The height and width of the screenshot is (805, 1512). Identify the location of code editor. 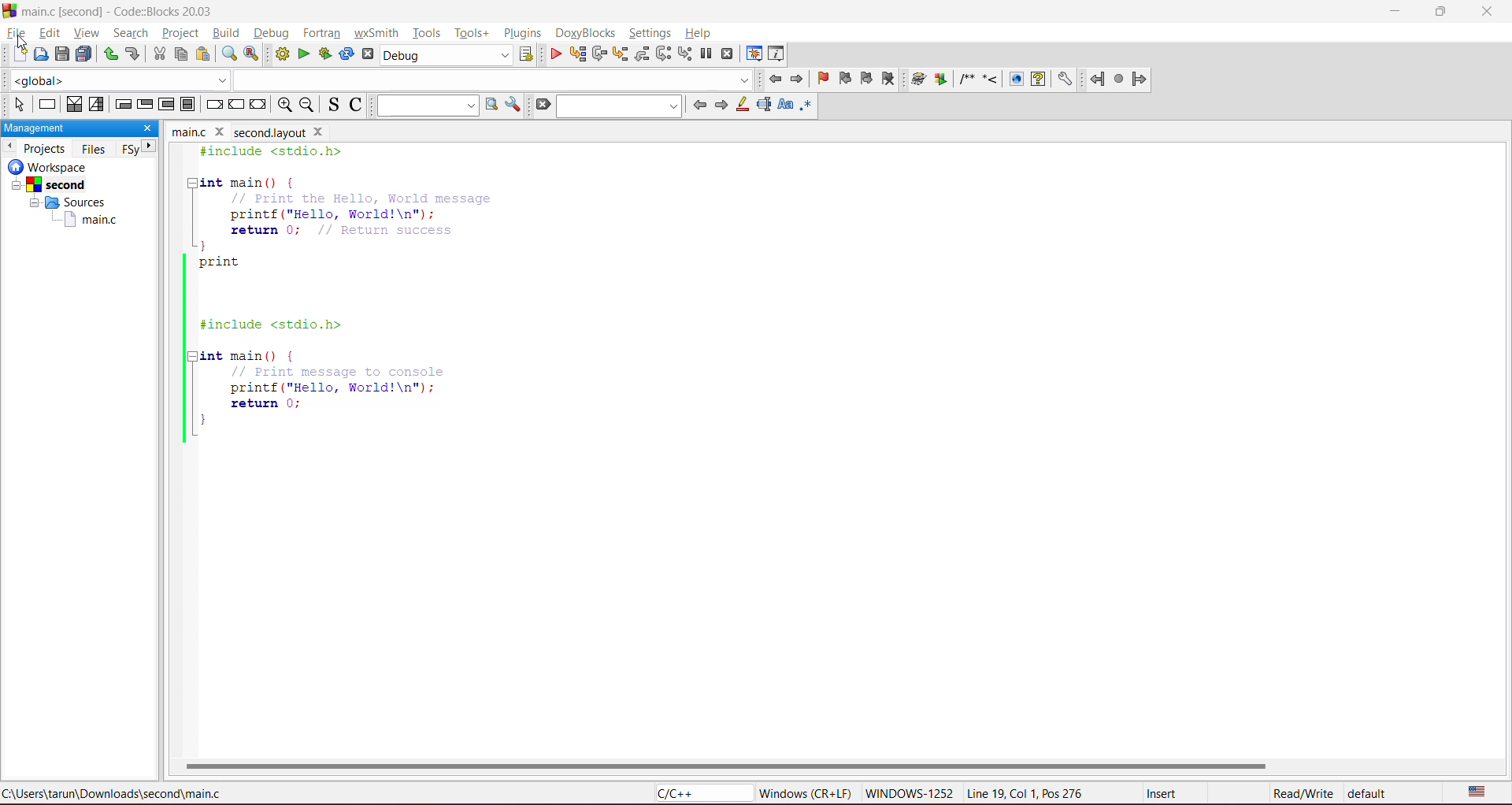
(398, 295).